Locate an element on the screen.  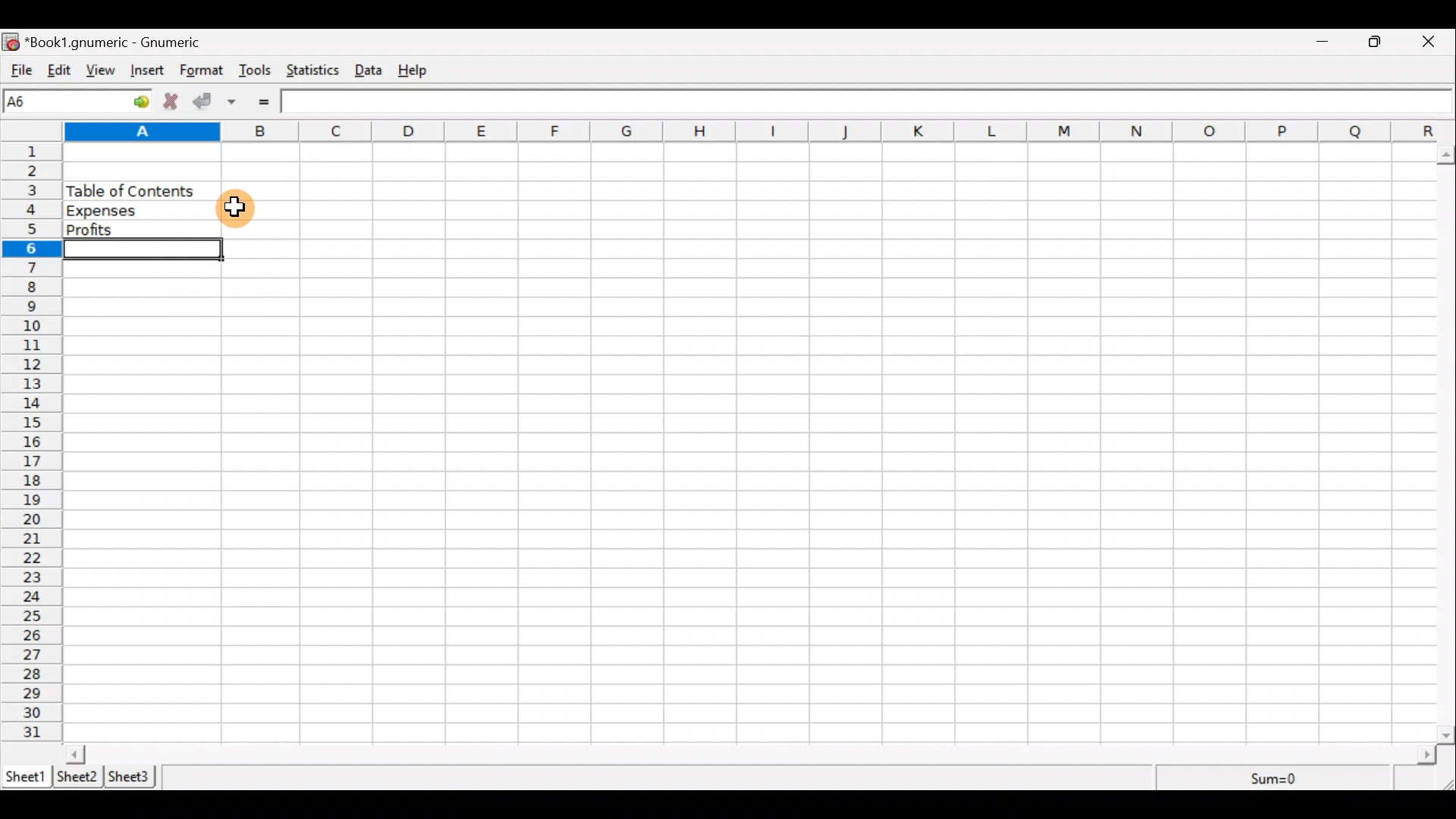
Profits is located at coordinates (140, 230).